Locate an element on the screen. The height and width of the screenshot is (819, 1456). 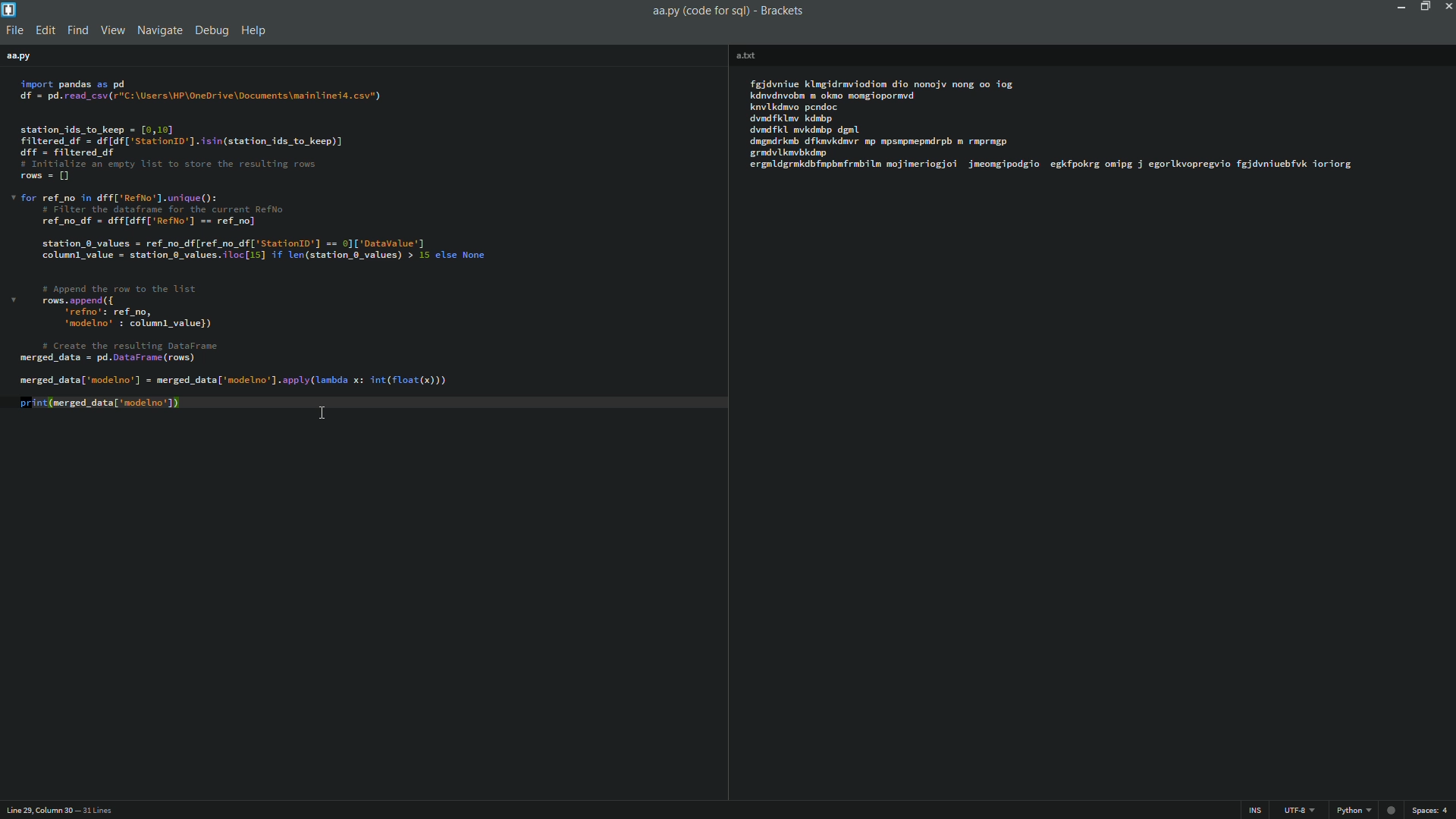
space is located at coordinates (1432, 808).